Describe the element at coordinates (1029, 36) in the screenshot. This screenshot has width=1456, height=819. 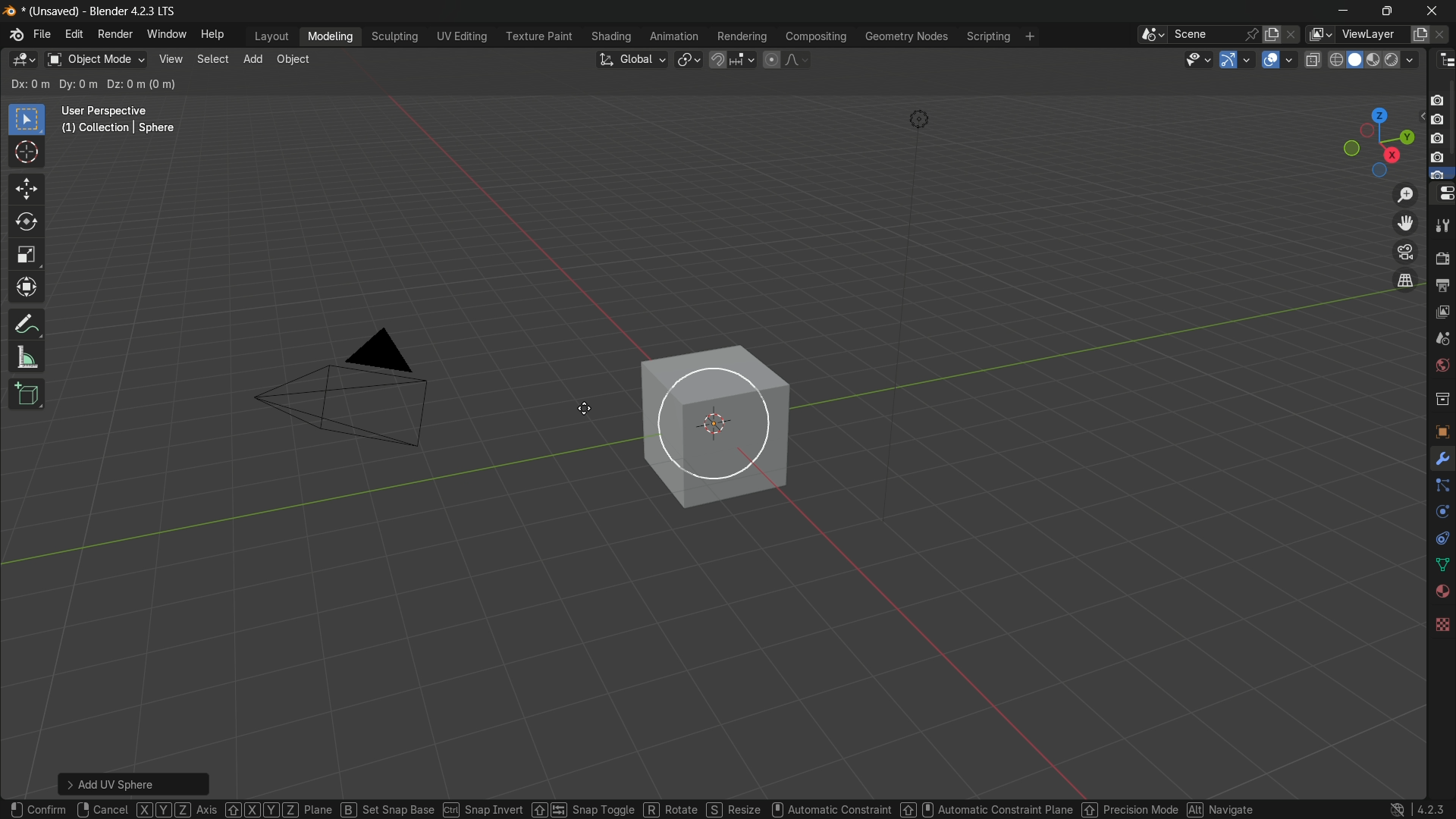
I see `add workplace` at that location.